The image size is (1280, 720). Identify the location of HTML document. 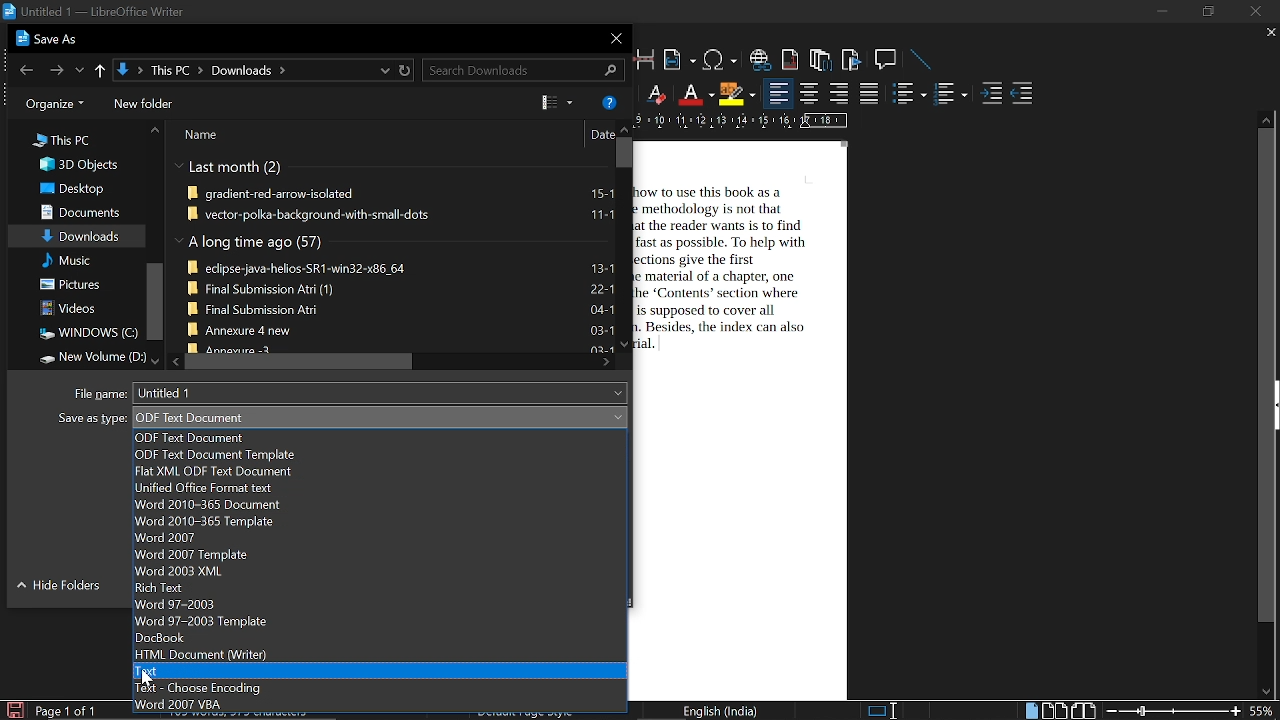
(382, 654).